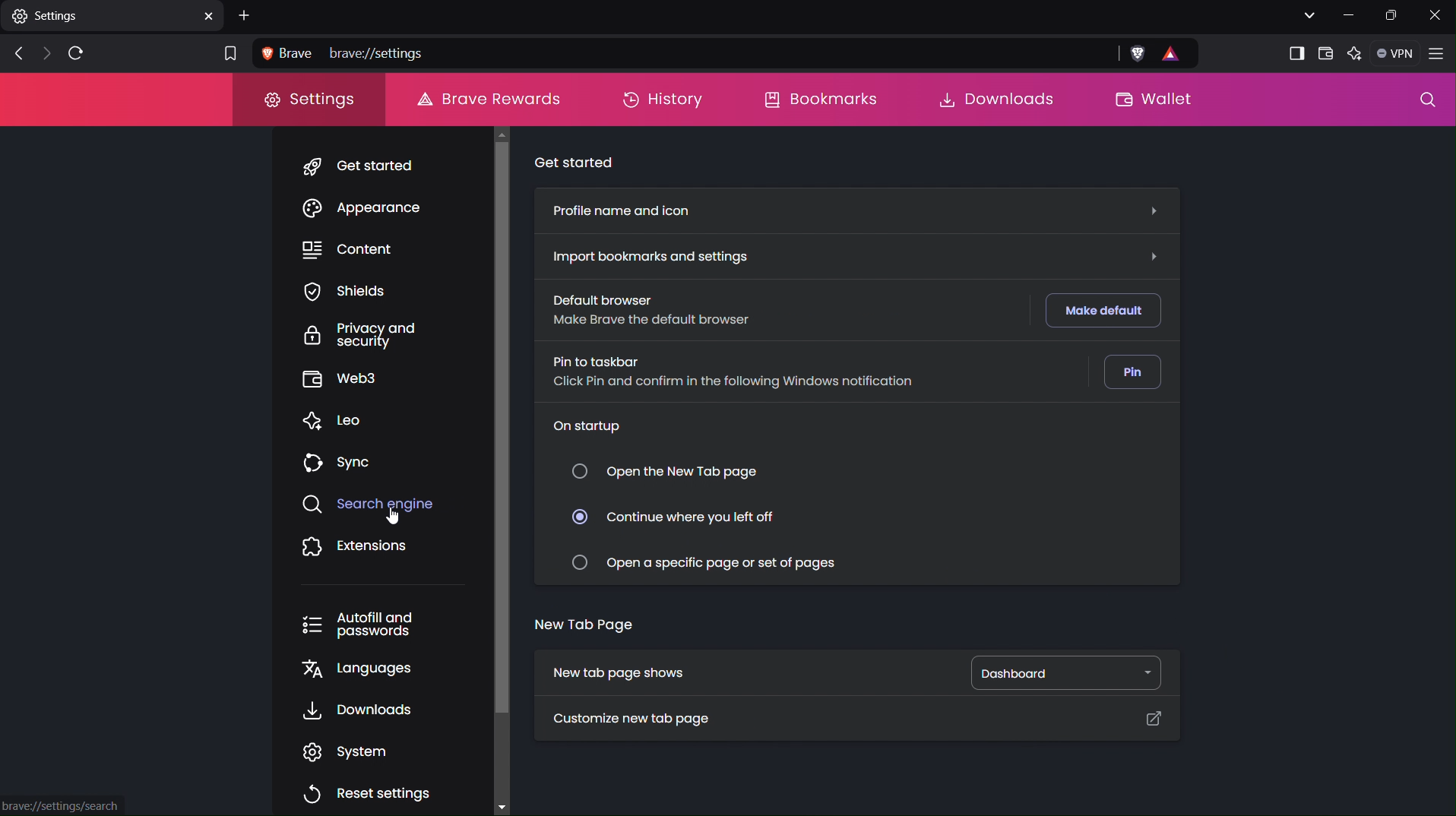 The height and width of the screenshot is (816, 1456). I want to click on Default browser, so click(647, 309).